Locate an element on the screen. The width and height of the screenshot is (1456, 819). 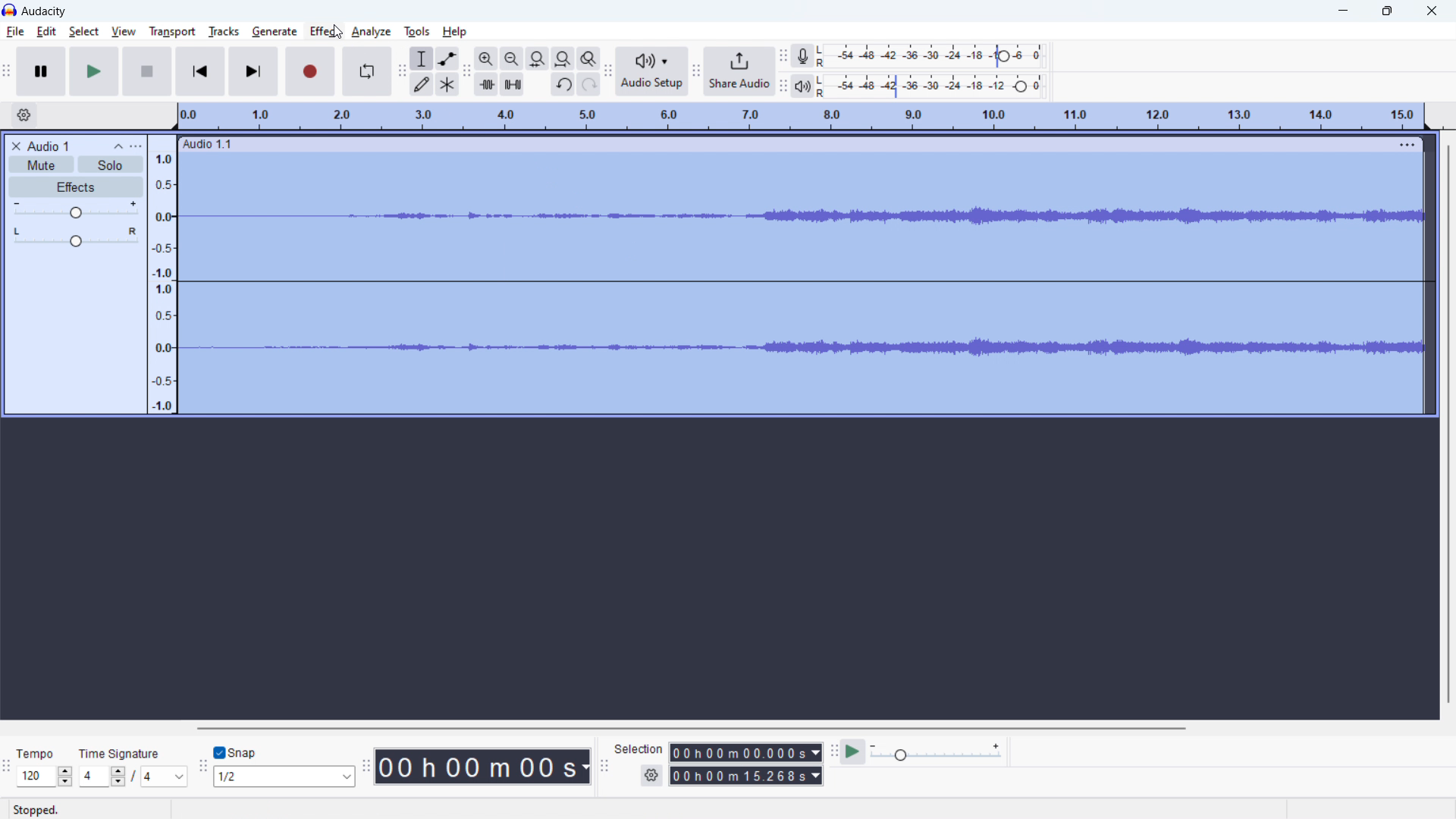
help is located at coordinates (456, 32).